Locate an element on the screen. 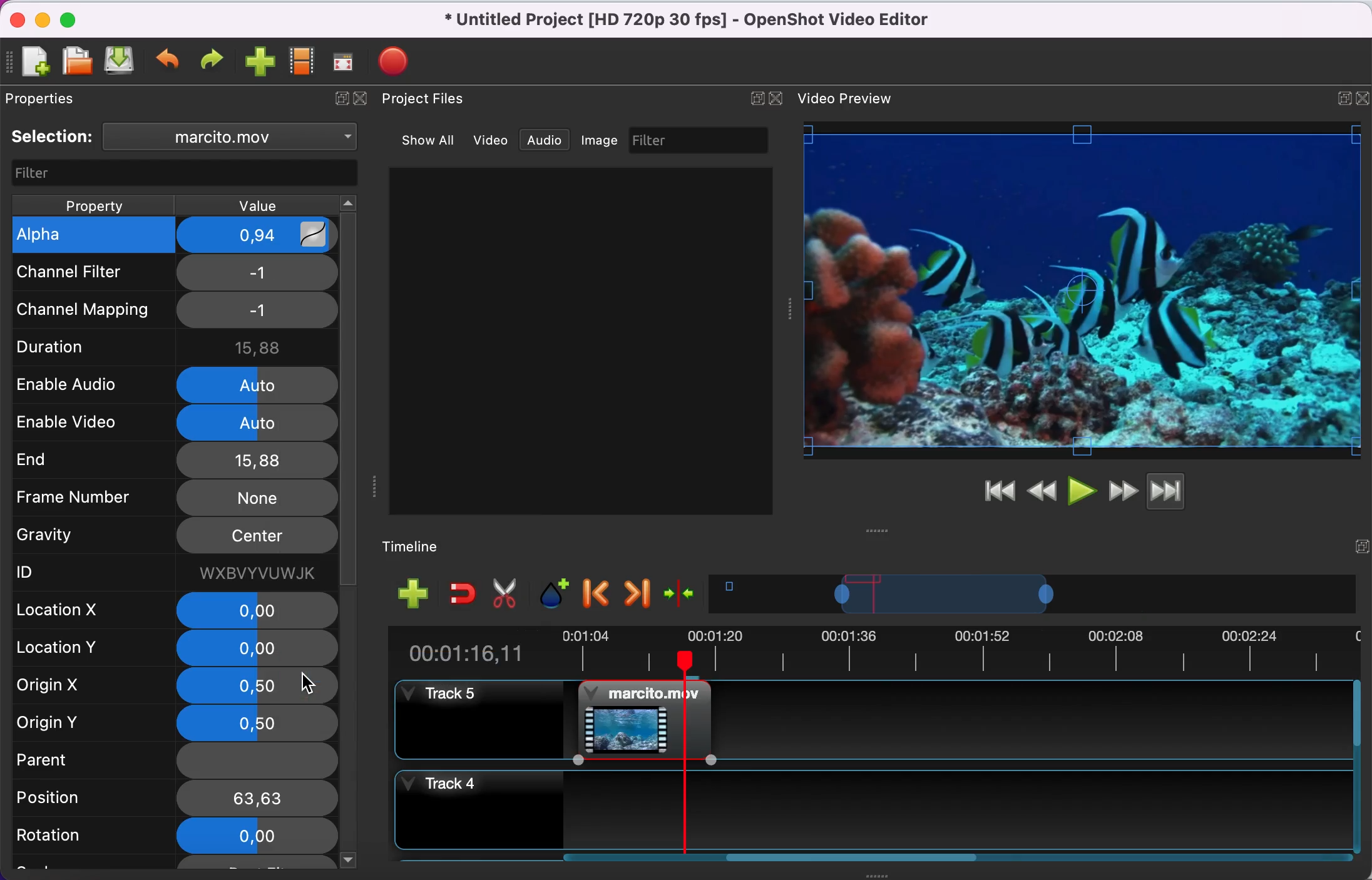 This screenshot has width=1372, height=880. time duration is located at coordinates (871, 652).